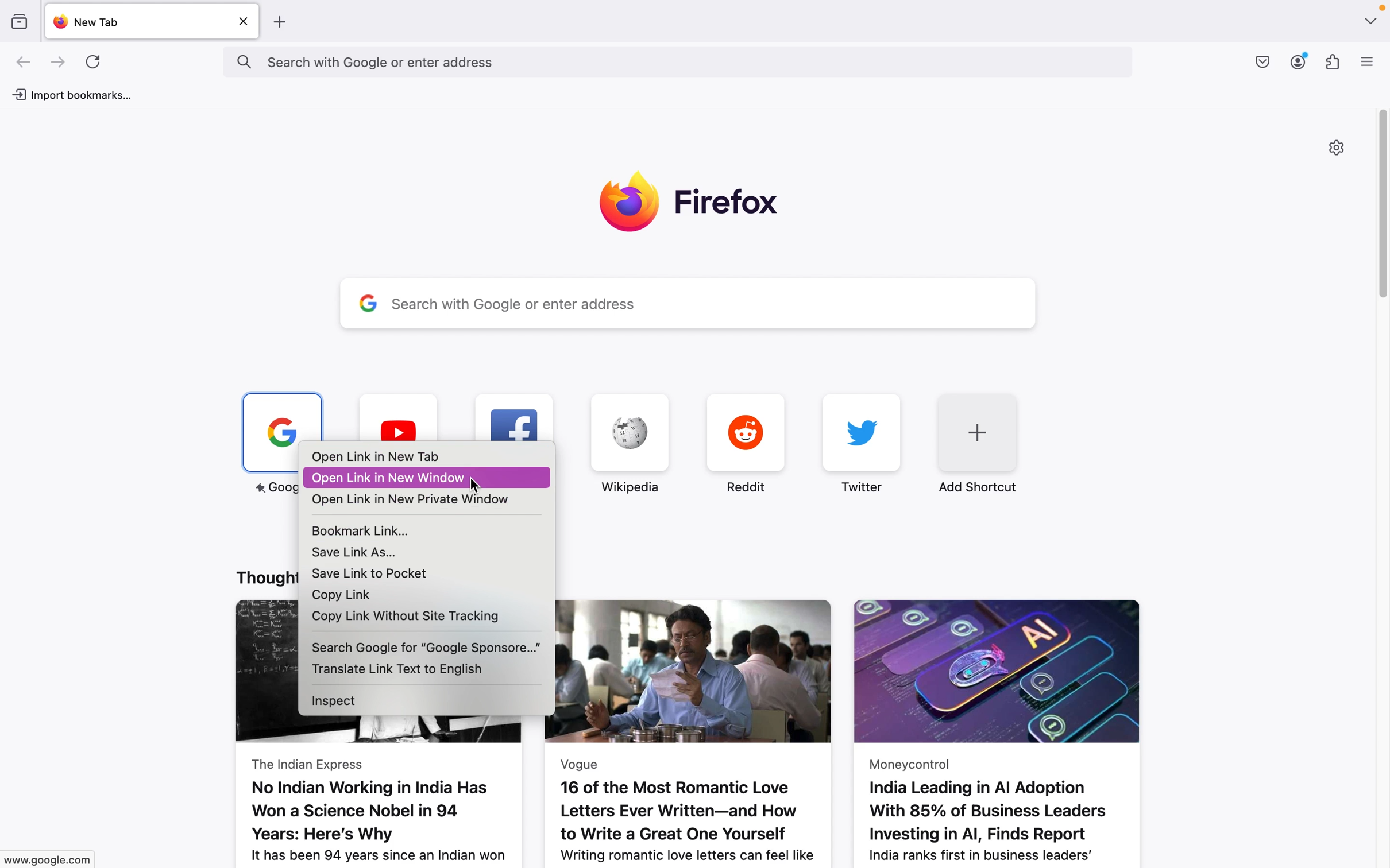  What do you see at coordinates (370, 574) in the screenshot?
I see `save link to pocket` at bounding box center [370, 574].